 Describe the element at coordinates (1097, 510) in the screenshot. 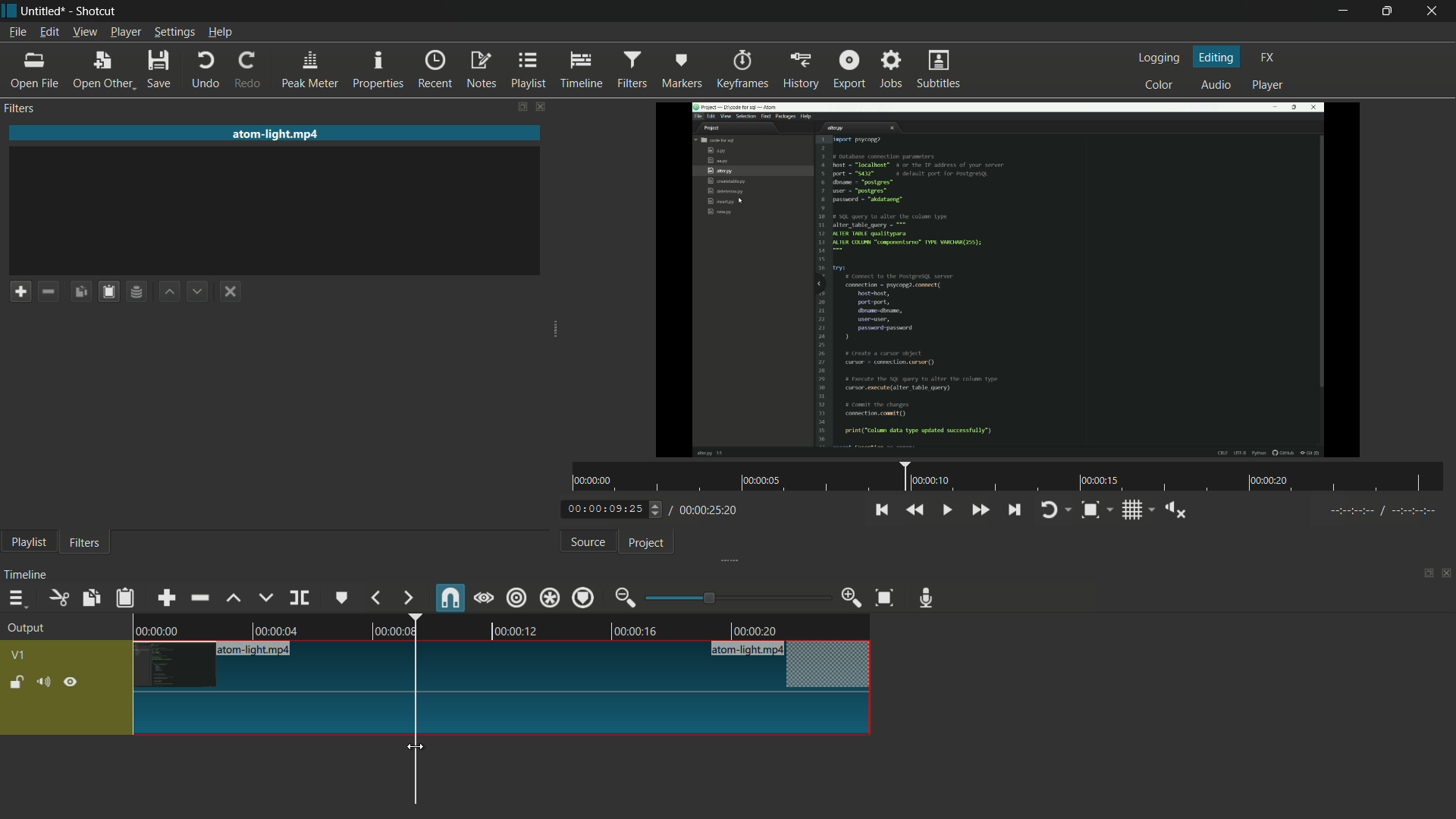

I see `zoom timeline to fit` at that location.